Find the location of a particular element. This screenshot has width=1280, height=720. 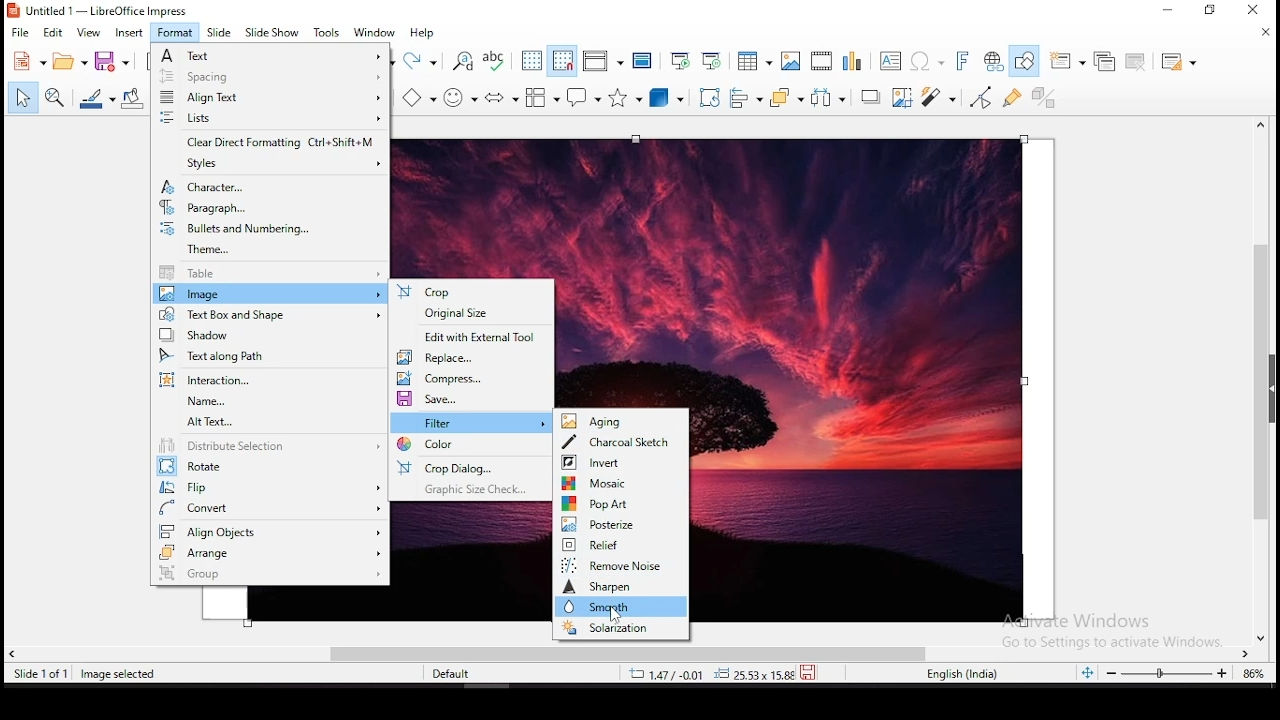

master slide is located at coordinates (641, 60).